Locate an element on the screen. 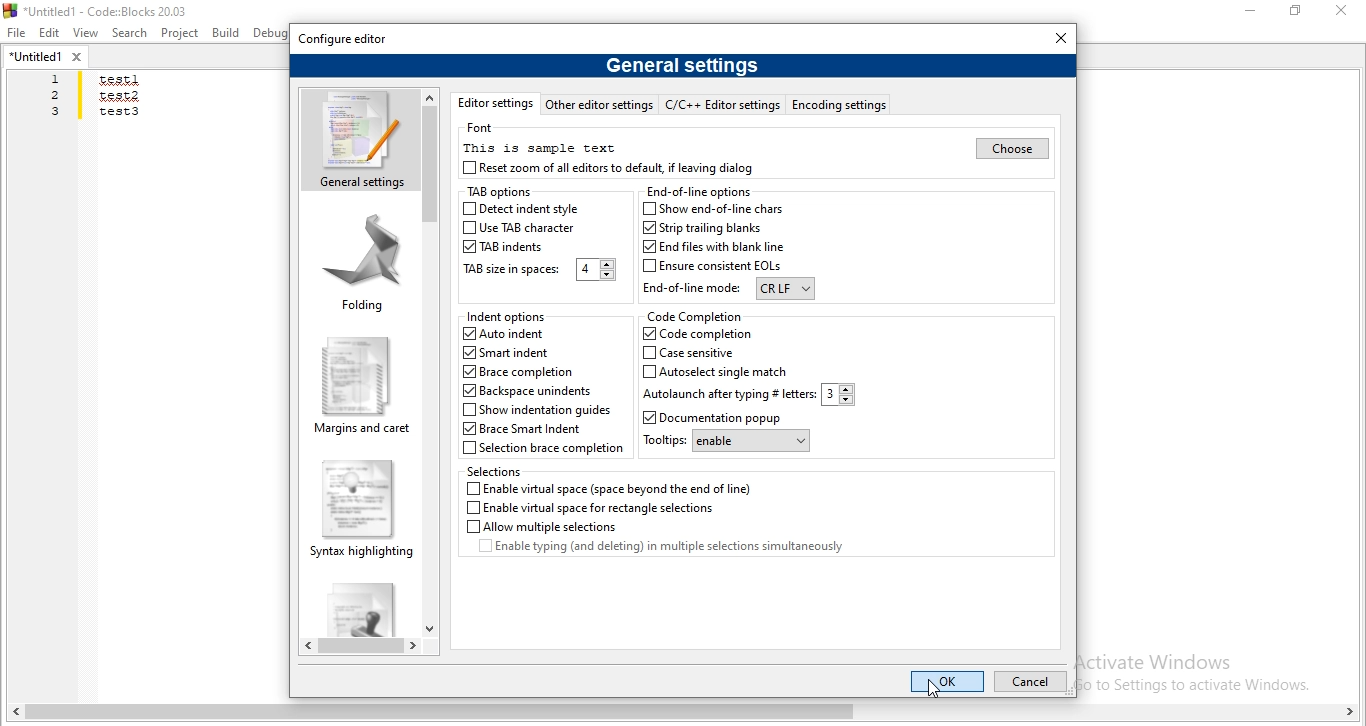 The width and height of the screenshot is (1366, 726). Ensure consistent EOLs is located at coordinates (714, 267).